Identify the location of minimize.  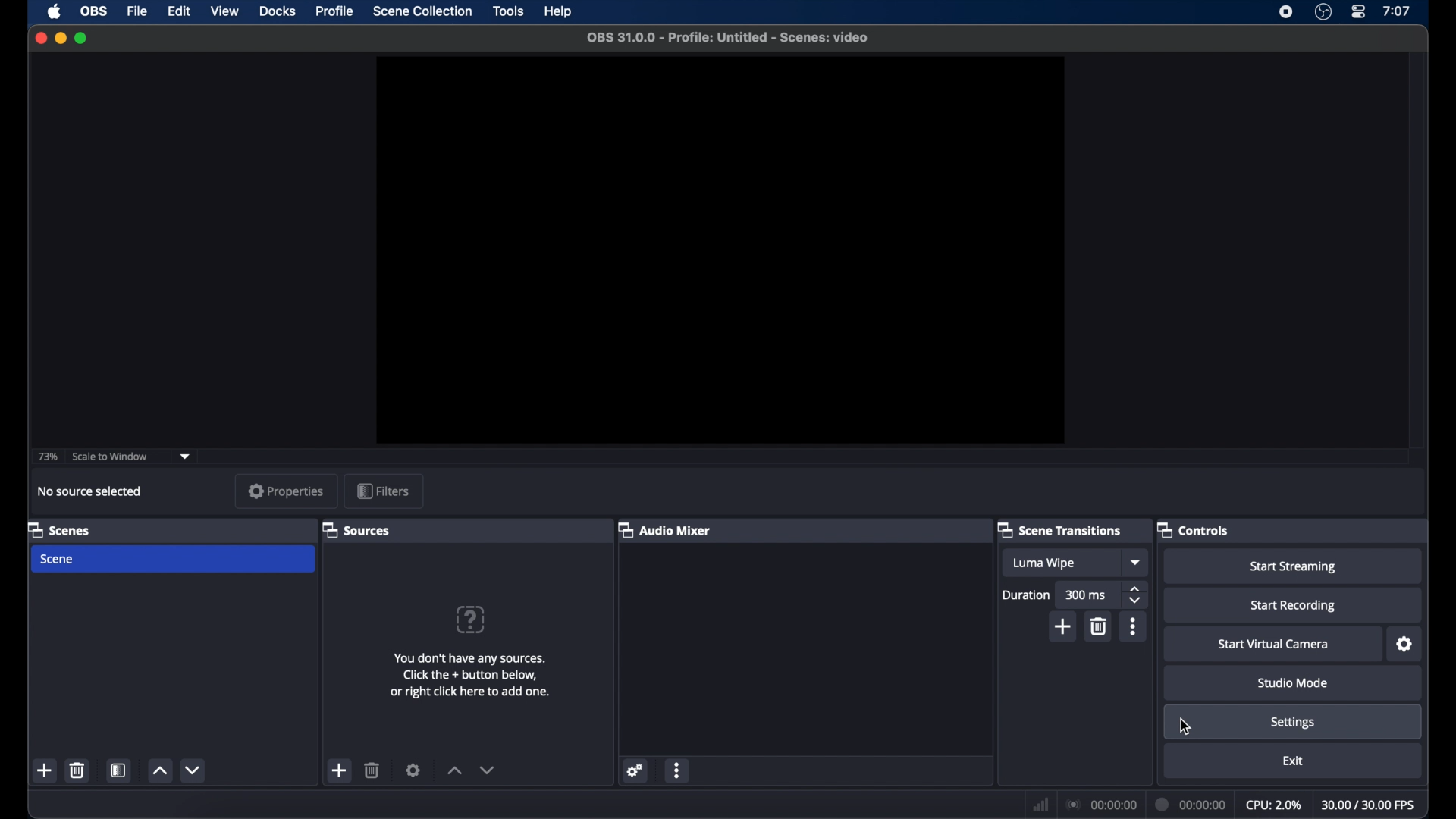
(60, 38).